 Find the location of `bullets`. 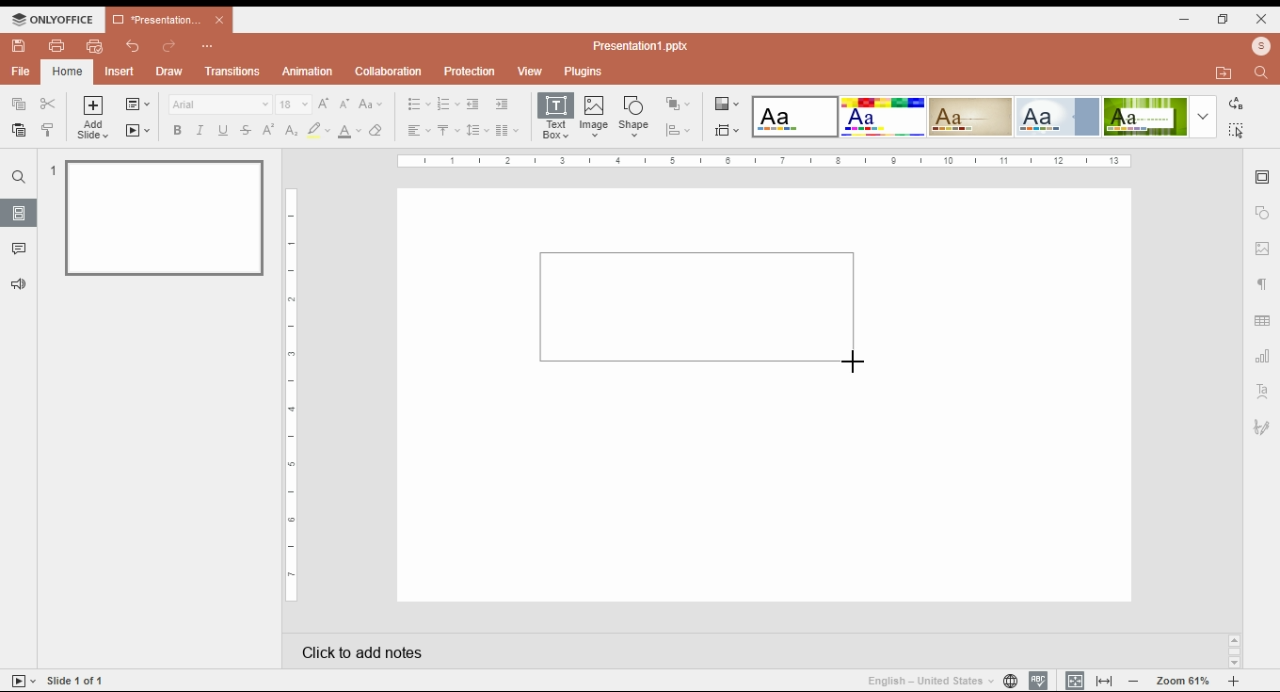

bullets is located at coordinates (418, 103).